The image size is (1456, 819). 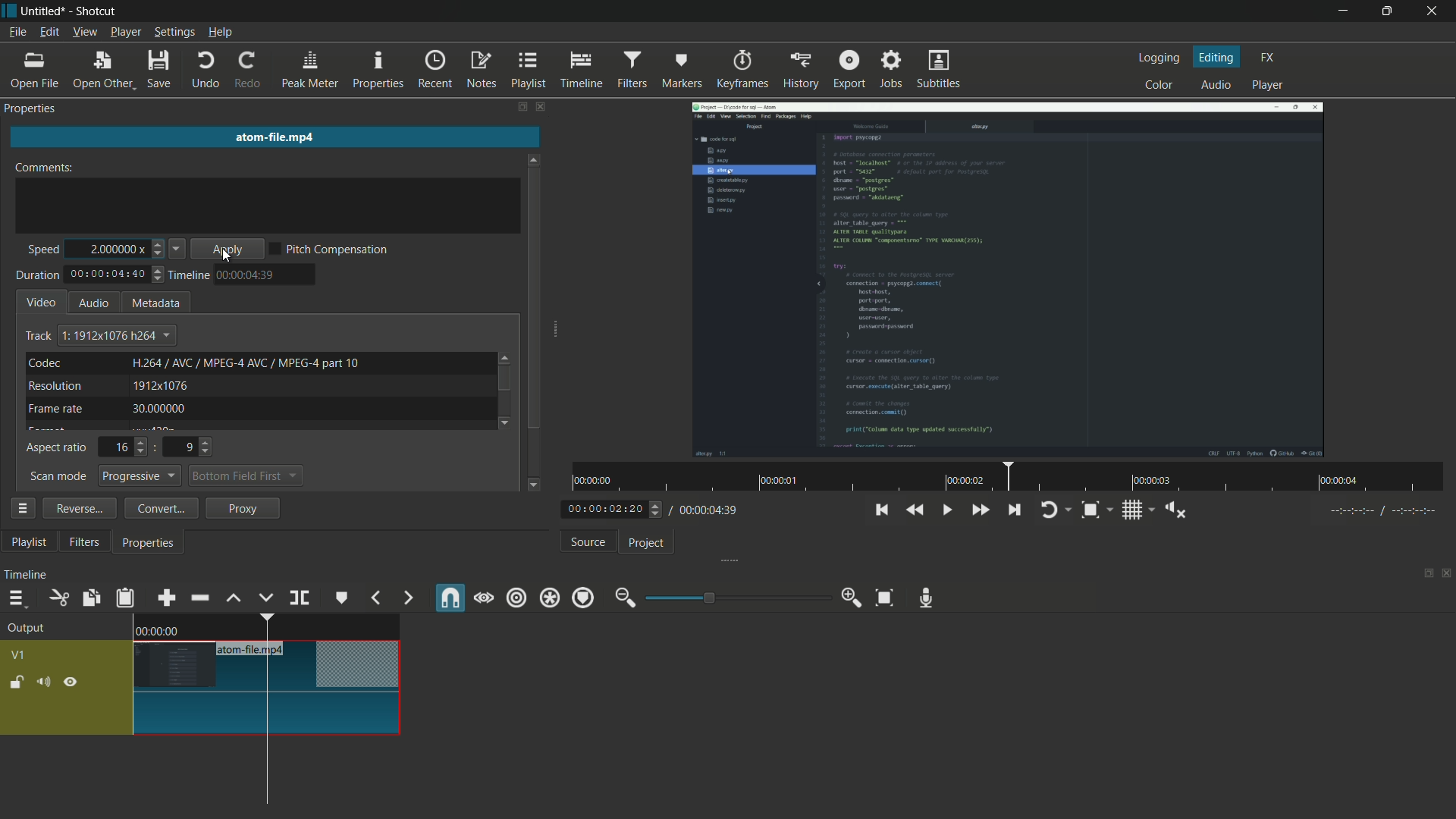 What do you see at coordinates (1131, 510) in the screenshot?
I see `toggle grid` at bounding box center [1131, 510].